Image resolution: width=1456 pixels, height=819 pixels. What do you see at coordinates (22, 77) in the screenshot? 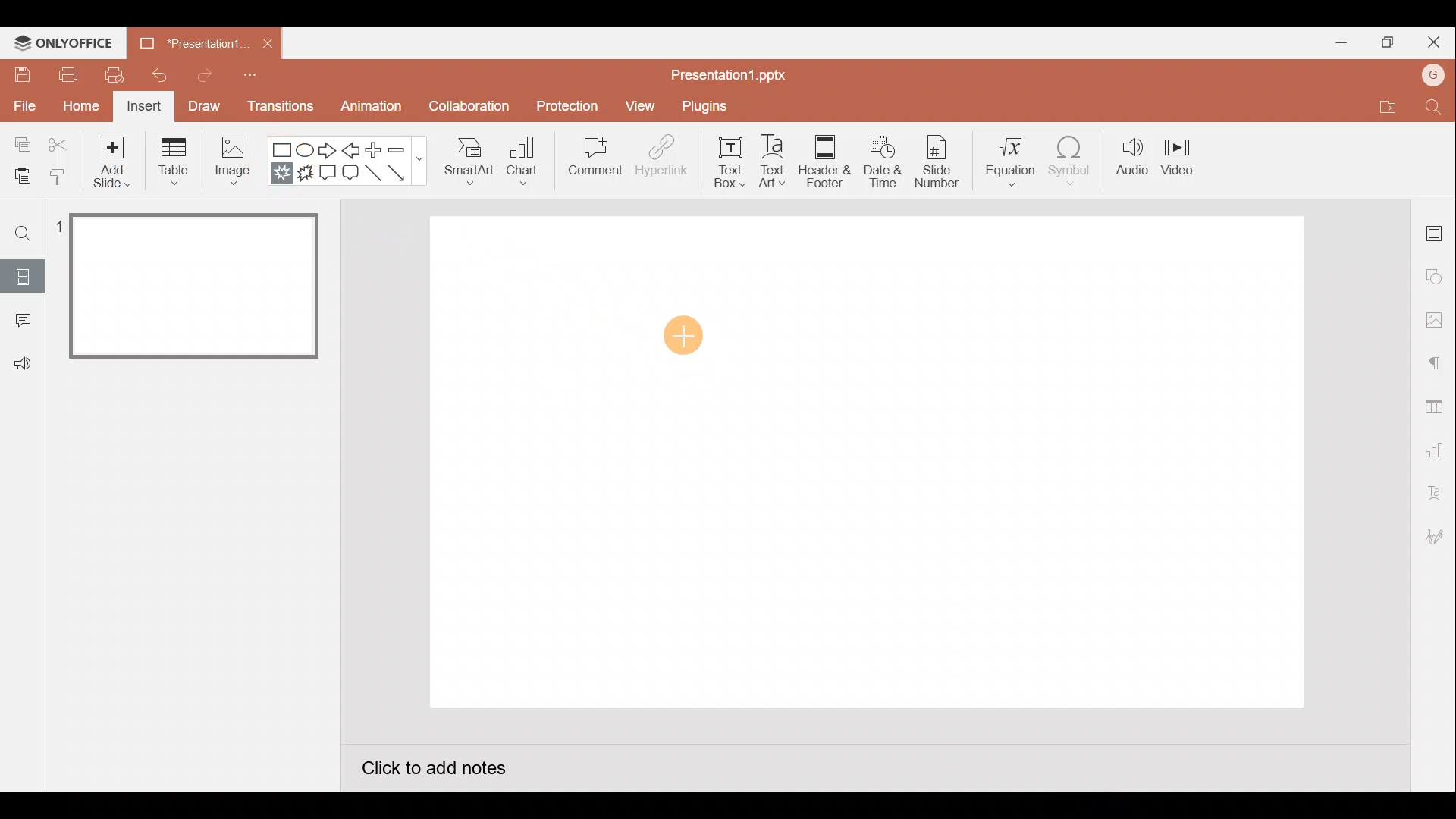
I see `Save` at bounding box center [22, 77].